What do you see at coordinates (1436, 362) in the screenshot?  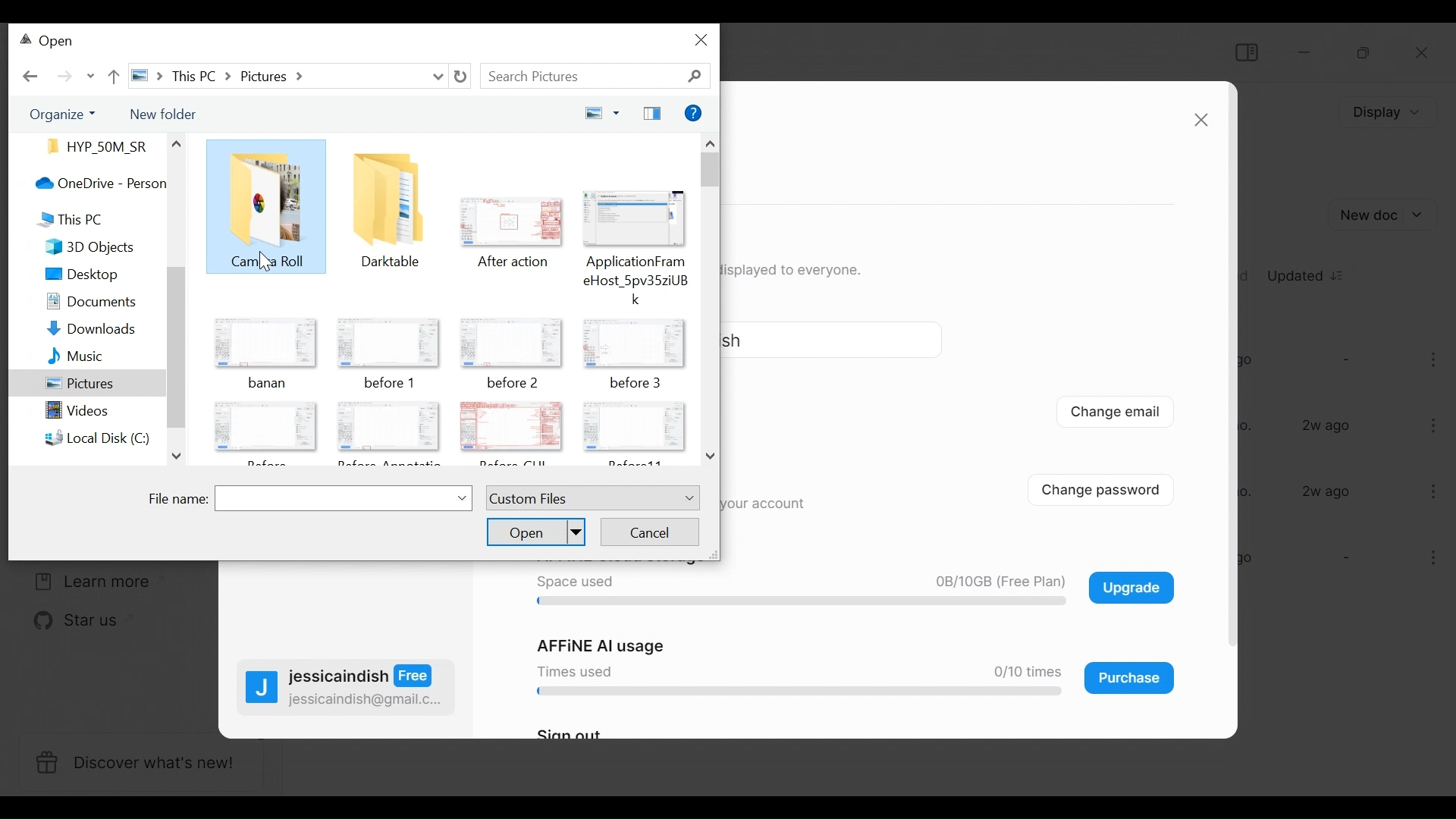 I see `more options` at bounding box center [1436, 362].